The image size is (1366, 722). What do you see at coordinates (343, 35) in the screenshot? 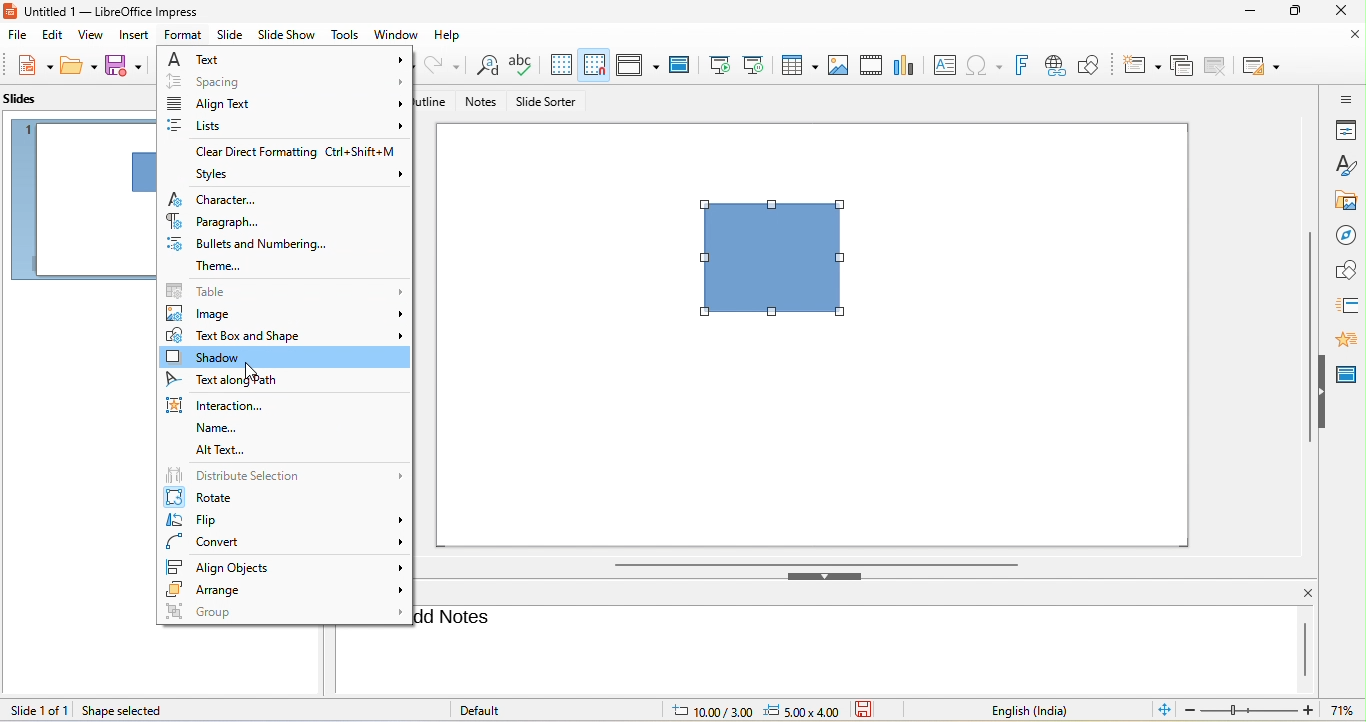
I see `tools` at bounding box center [343, 35].